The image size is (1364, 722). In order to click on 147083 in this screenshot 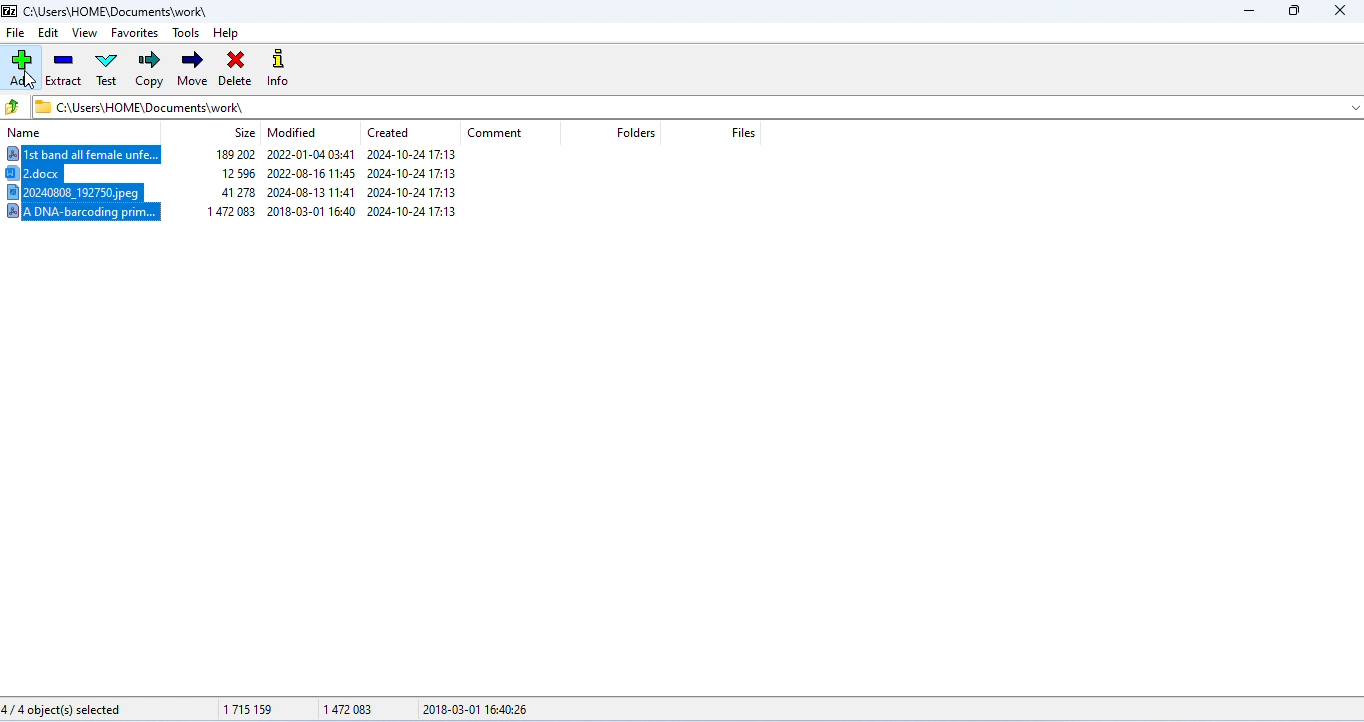, I will do `click(346, 706)`.